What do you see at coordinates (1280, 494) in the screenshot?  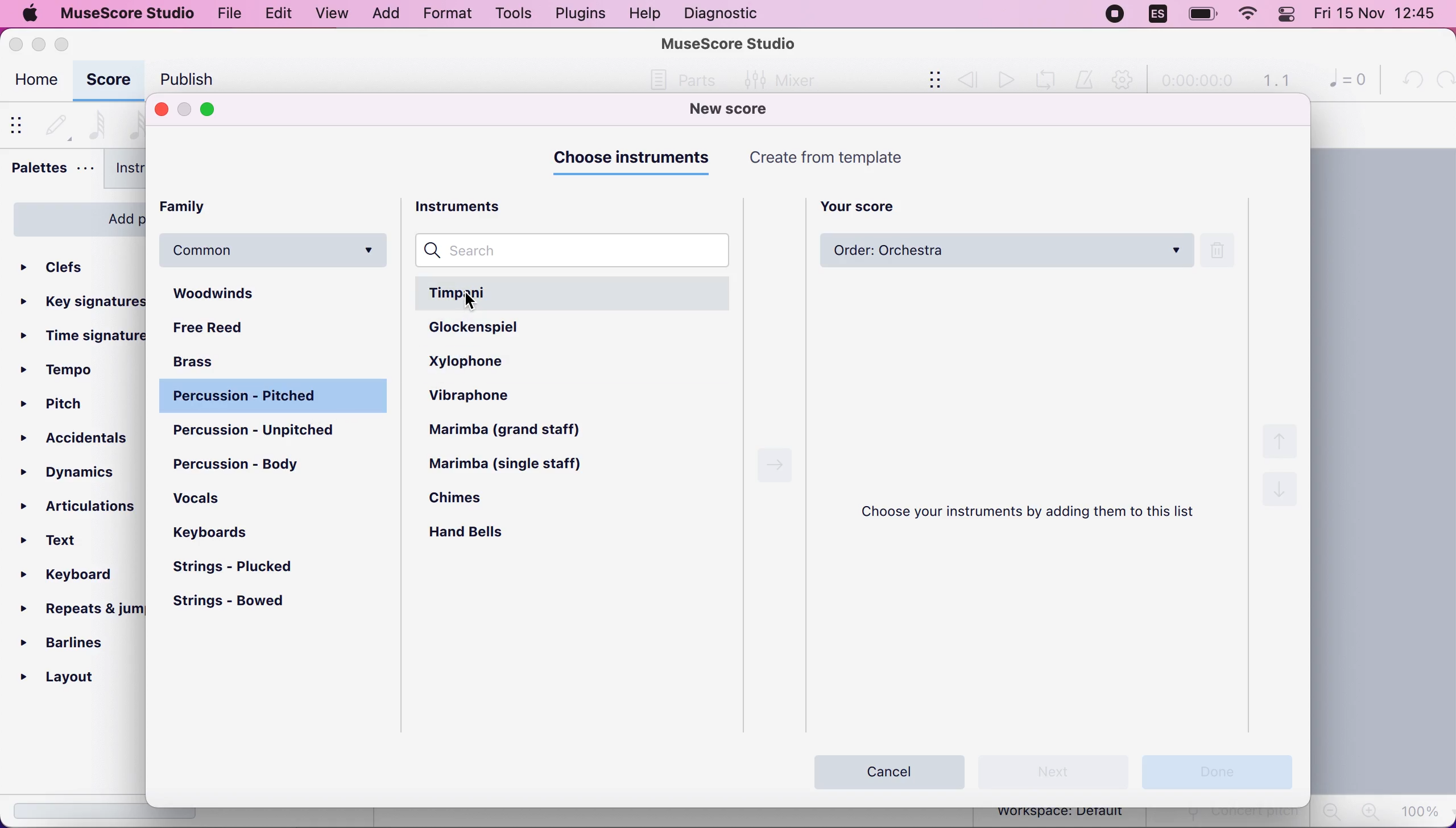 I see `down` at bounding box center [1280, 494].